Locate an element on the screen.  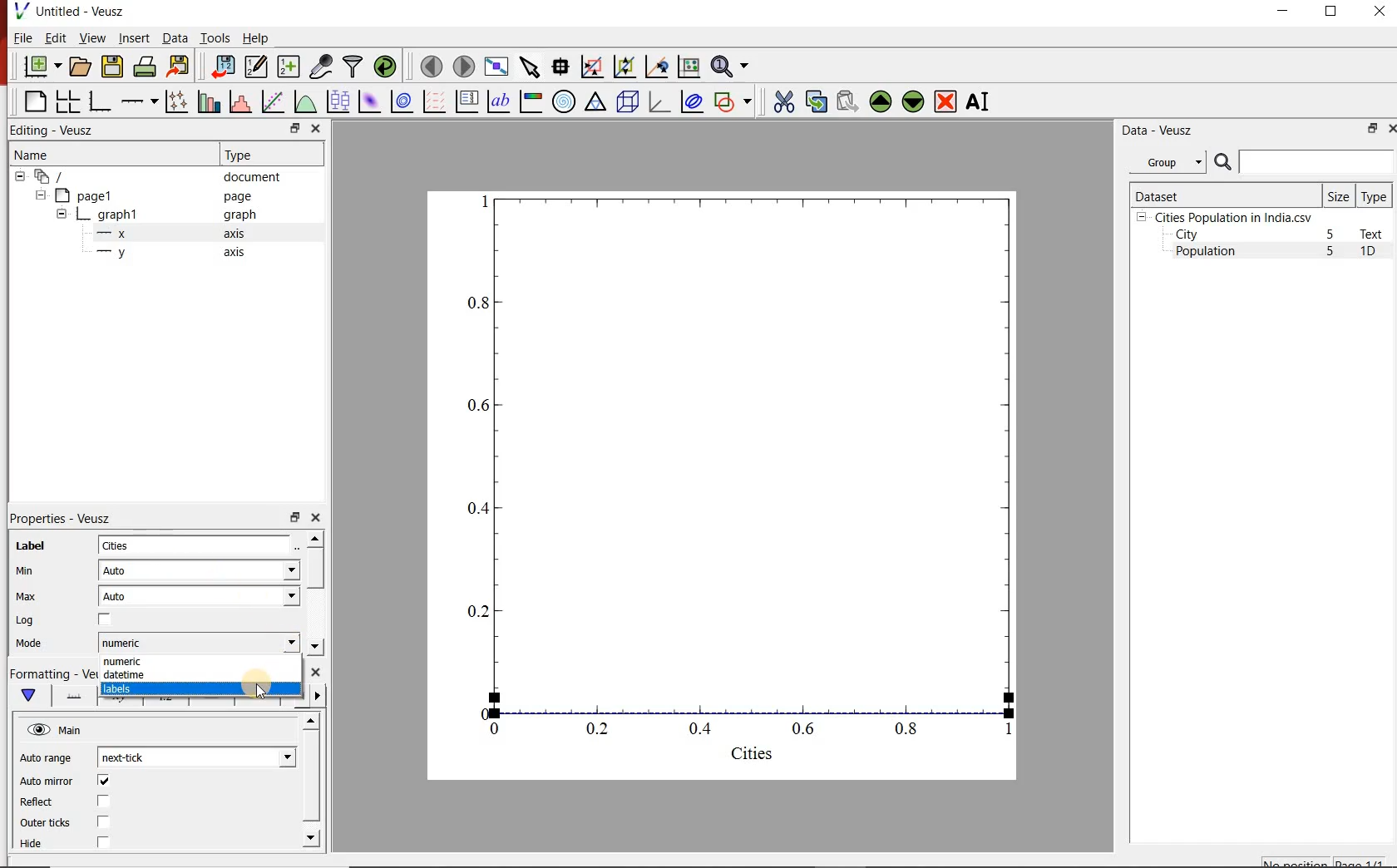
Insert is located at coordinates (133, 39).